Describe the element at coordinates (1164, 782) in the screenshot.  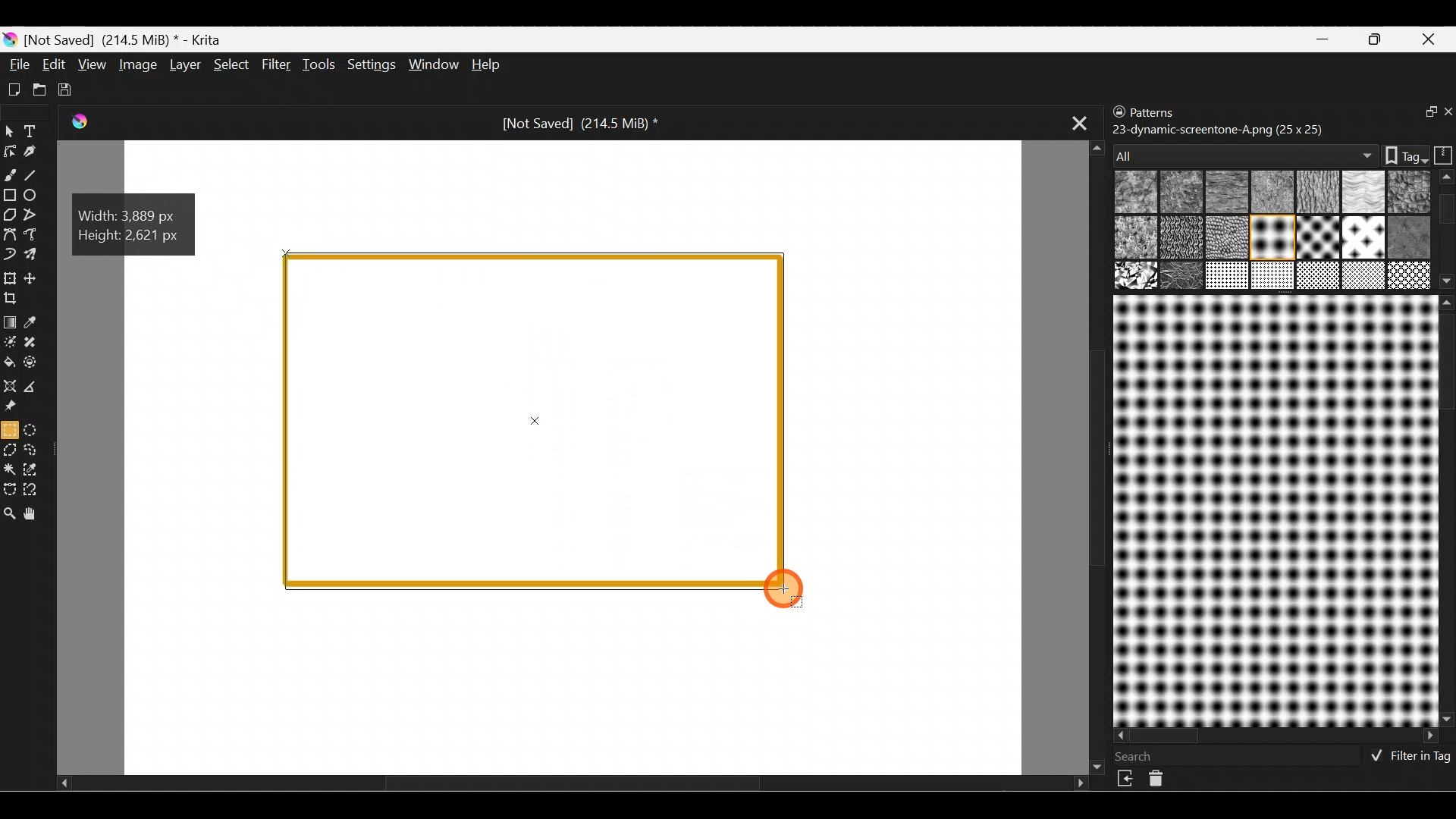
I see `Delete resource` at that location.